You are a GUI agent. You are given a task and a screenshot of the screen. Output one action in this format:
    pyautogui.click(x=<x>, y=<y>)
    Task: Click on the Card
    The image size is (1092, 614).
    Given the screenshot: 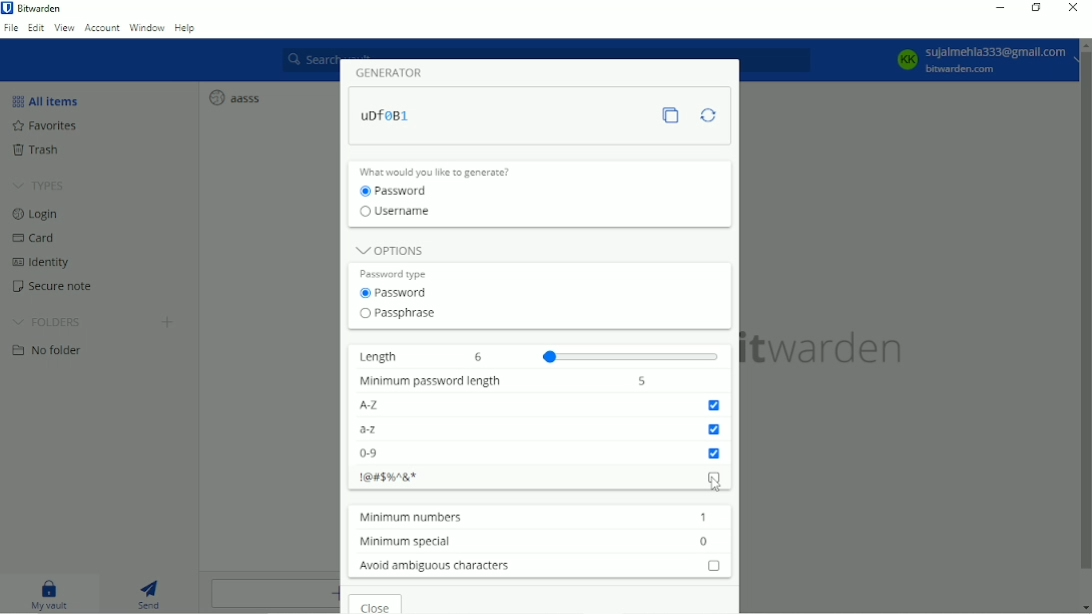 What is the action you would take?
    pyautogui.click(x=40, y=237)
    